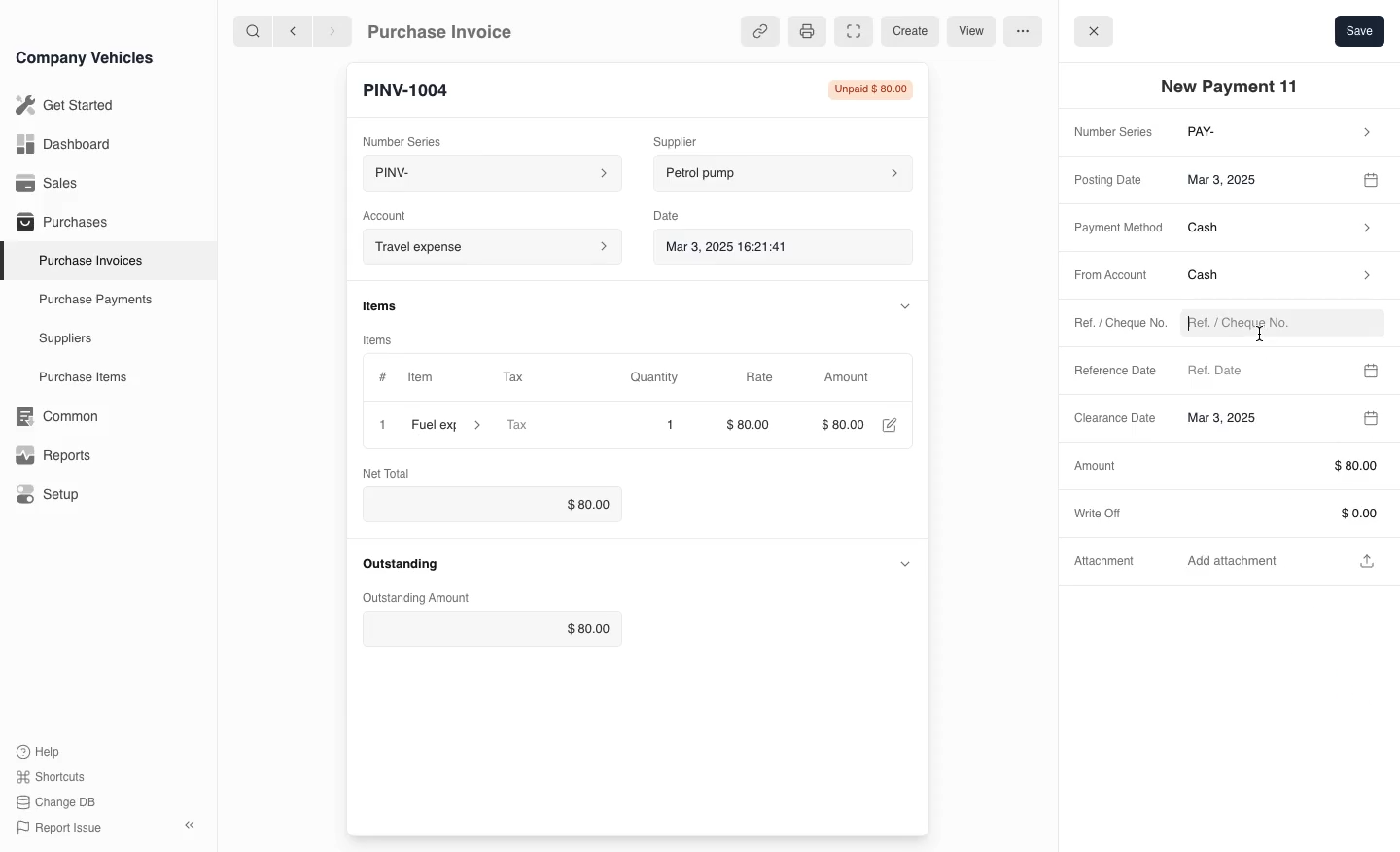 This screenshot has height=852, width=1400. I want to click on Tax, so click(530, 378).